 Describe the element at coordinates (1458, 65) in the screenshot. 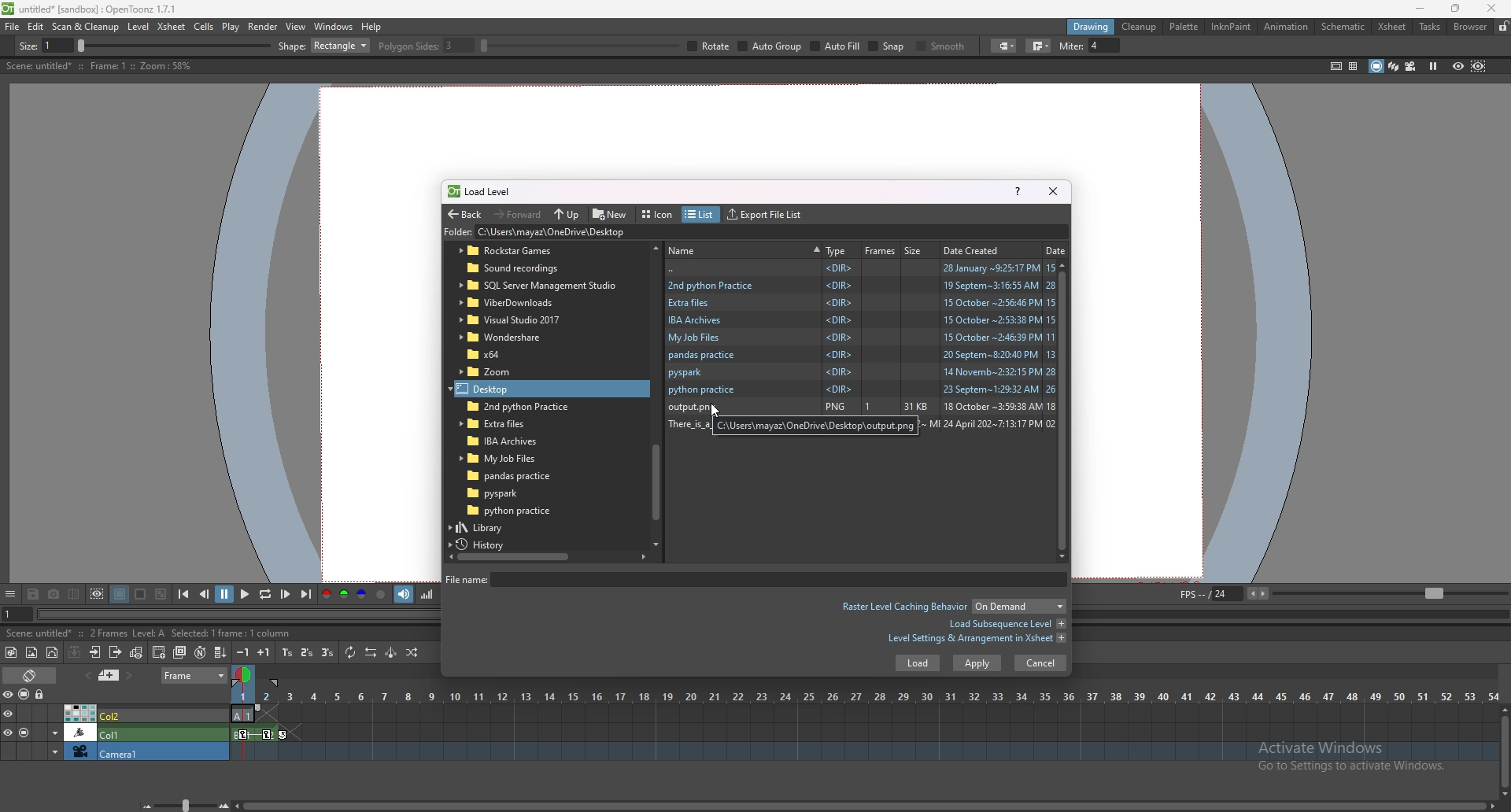

I see `preview` at that location.